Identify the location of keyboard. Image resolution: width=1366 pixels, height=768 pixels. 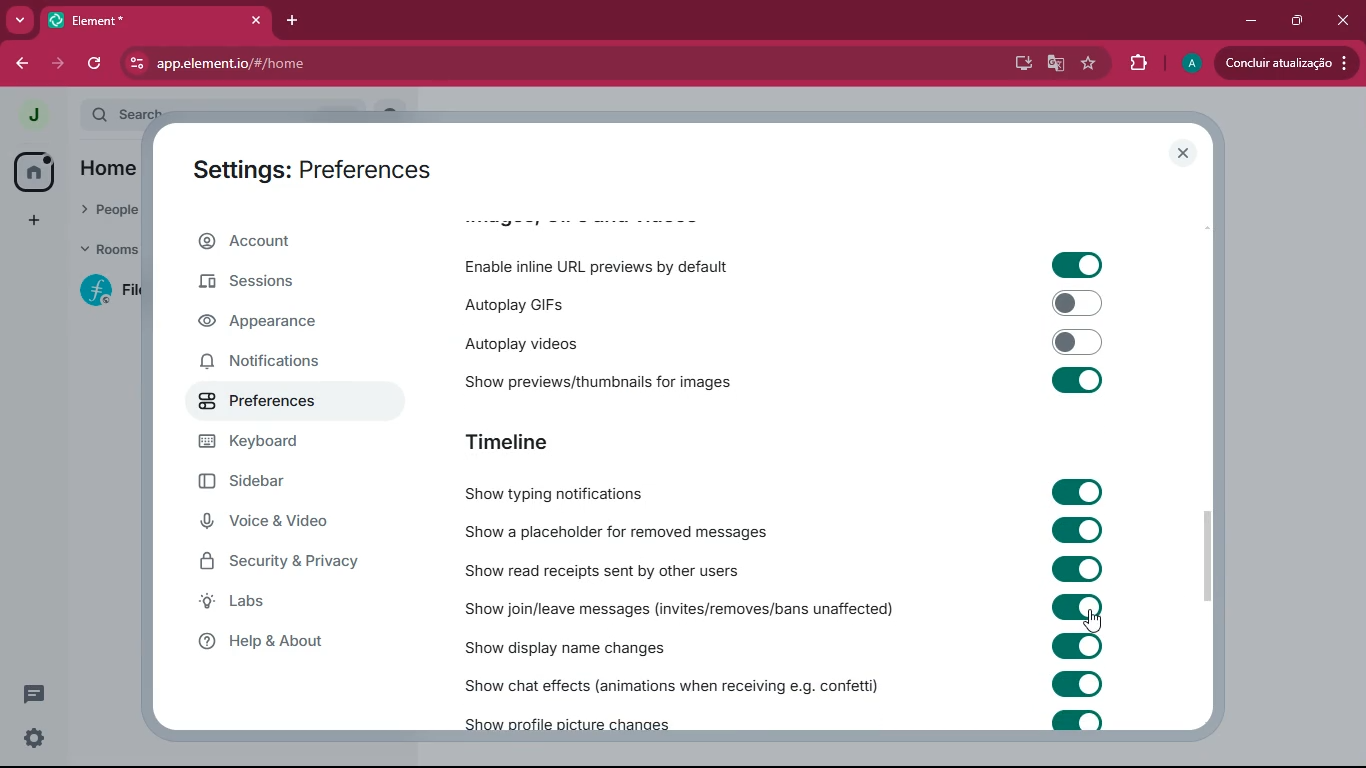
(282, 442).